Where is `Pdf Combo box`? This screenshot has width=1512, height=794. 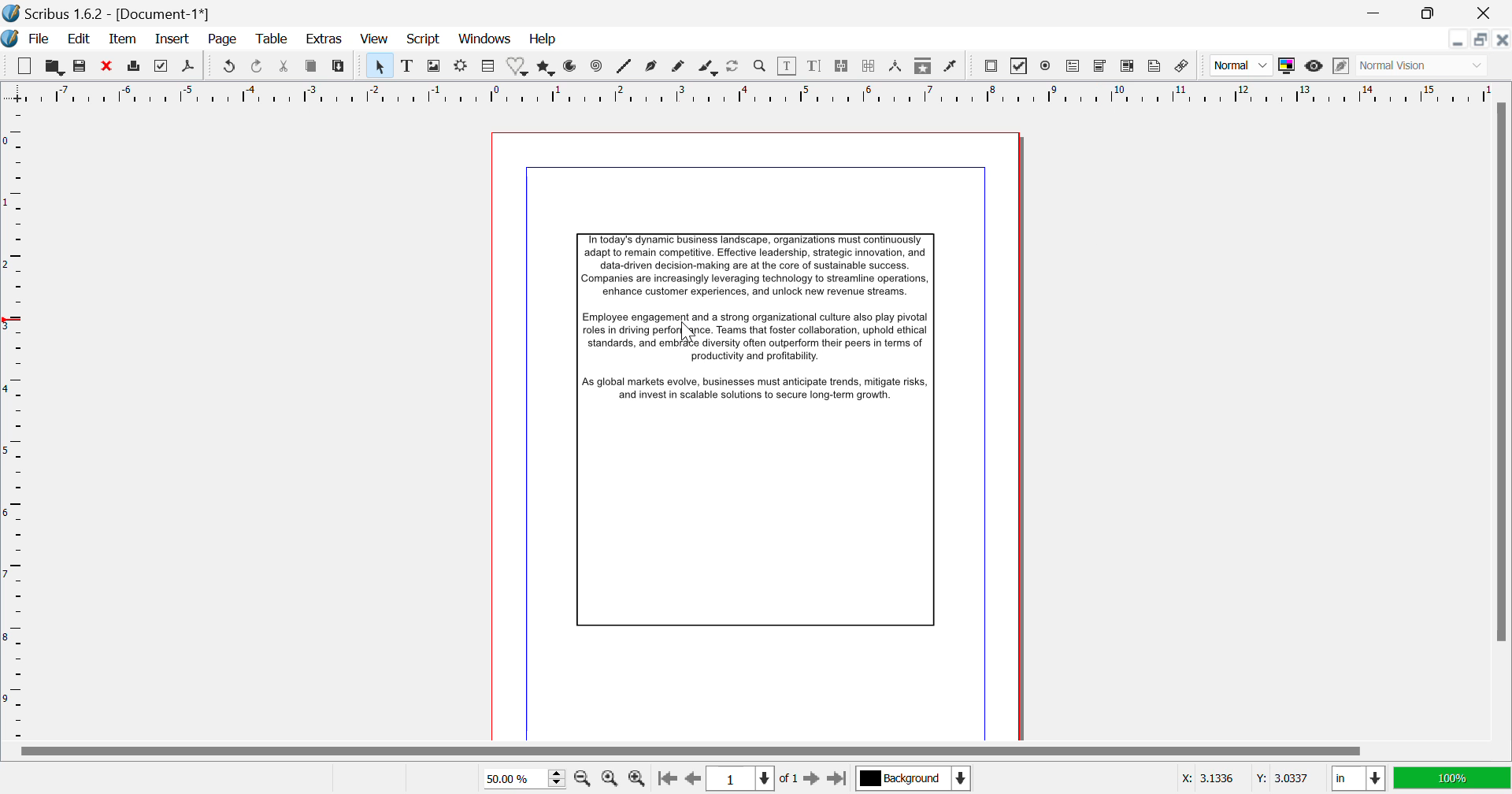 Pdf Combo box is located at coordinates (1101, 64).